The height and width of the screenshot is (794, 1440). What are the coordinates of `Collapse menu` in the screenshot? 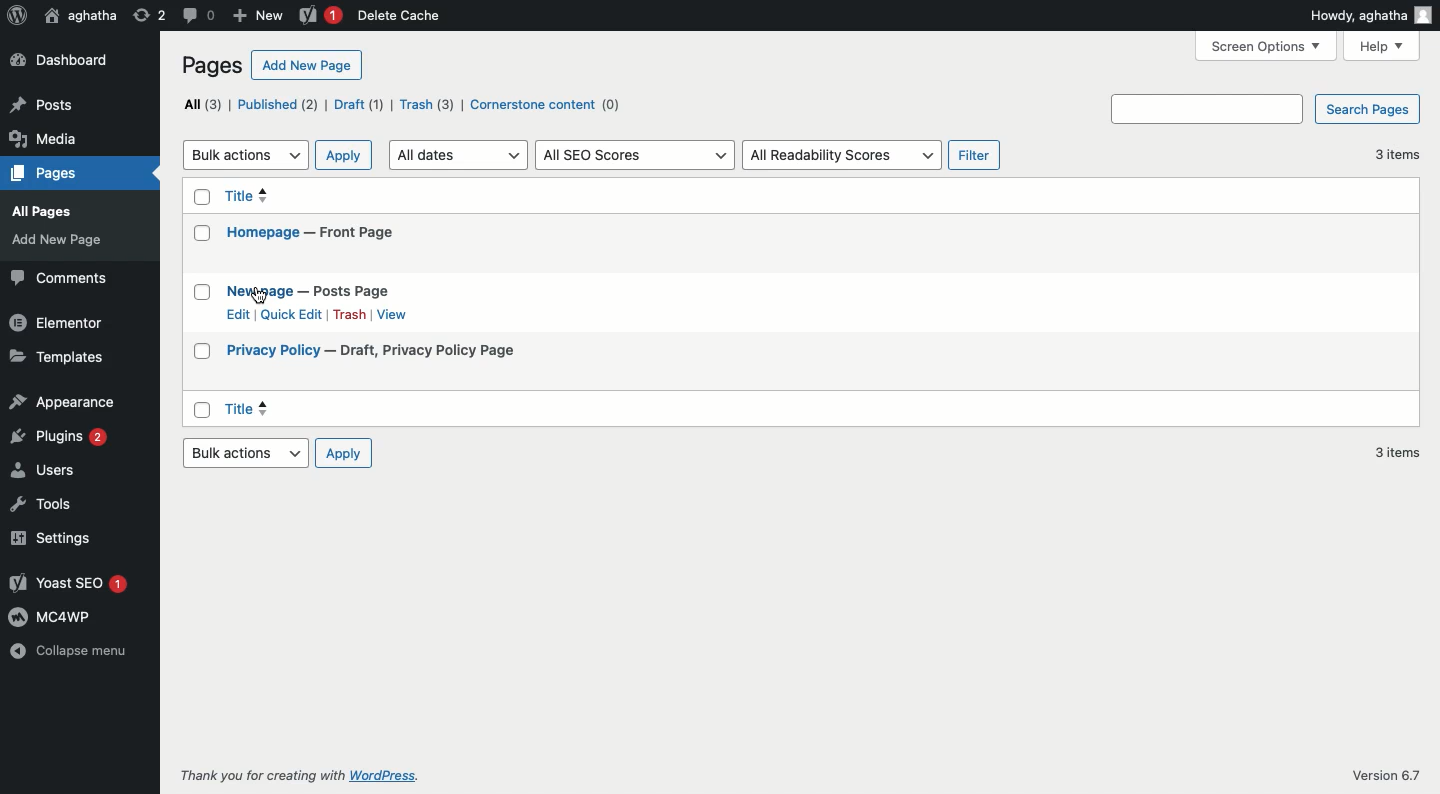 It's located at (67, 652).